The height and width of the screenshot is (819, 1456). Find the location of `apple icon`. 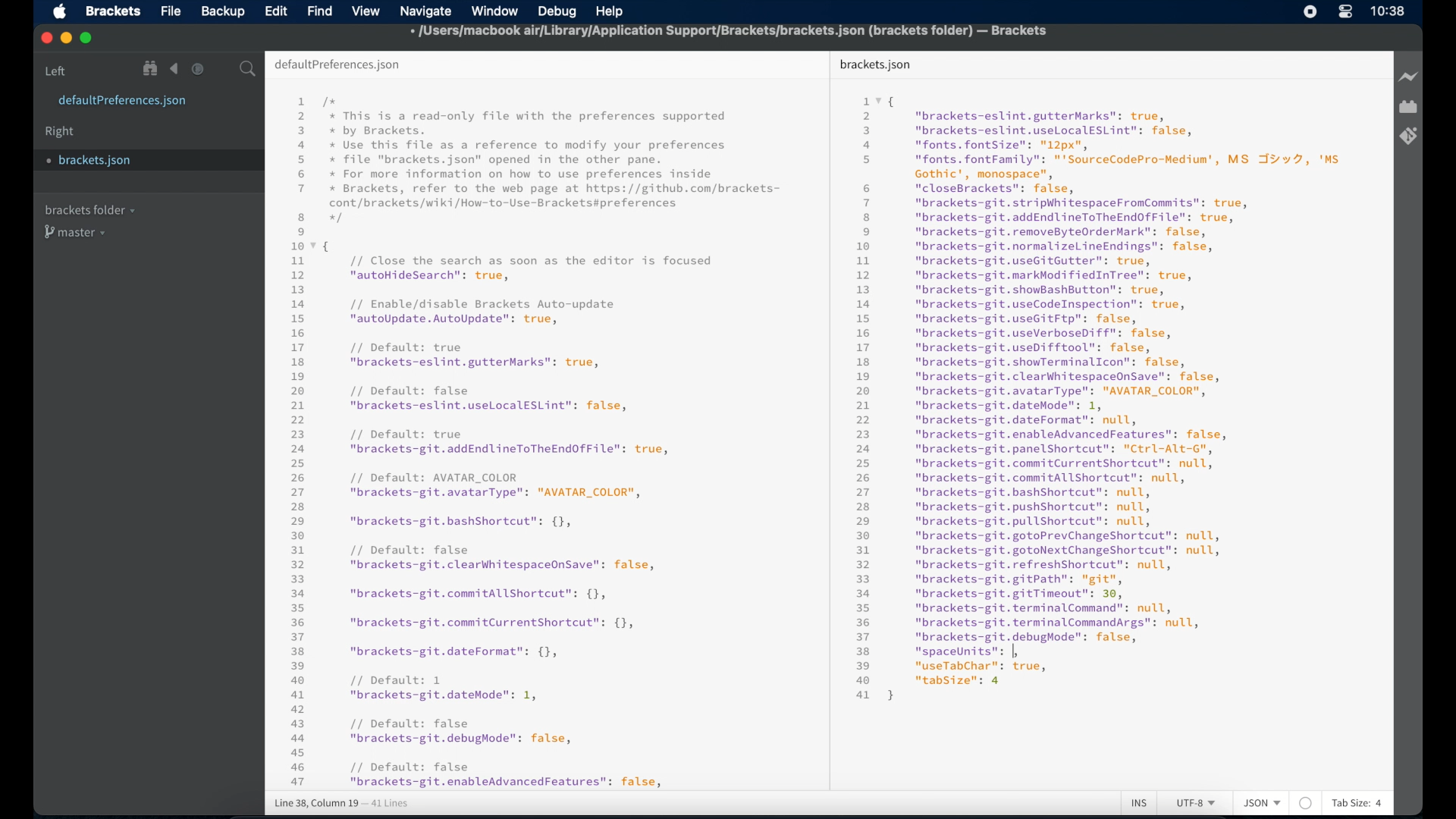

apple icon is located at coordinates (61, 12).